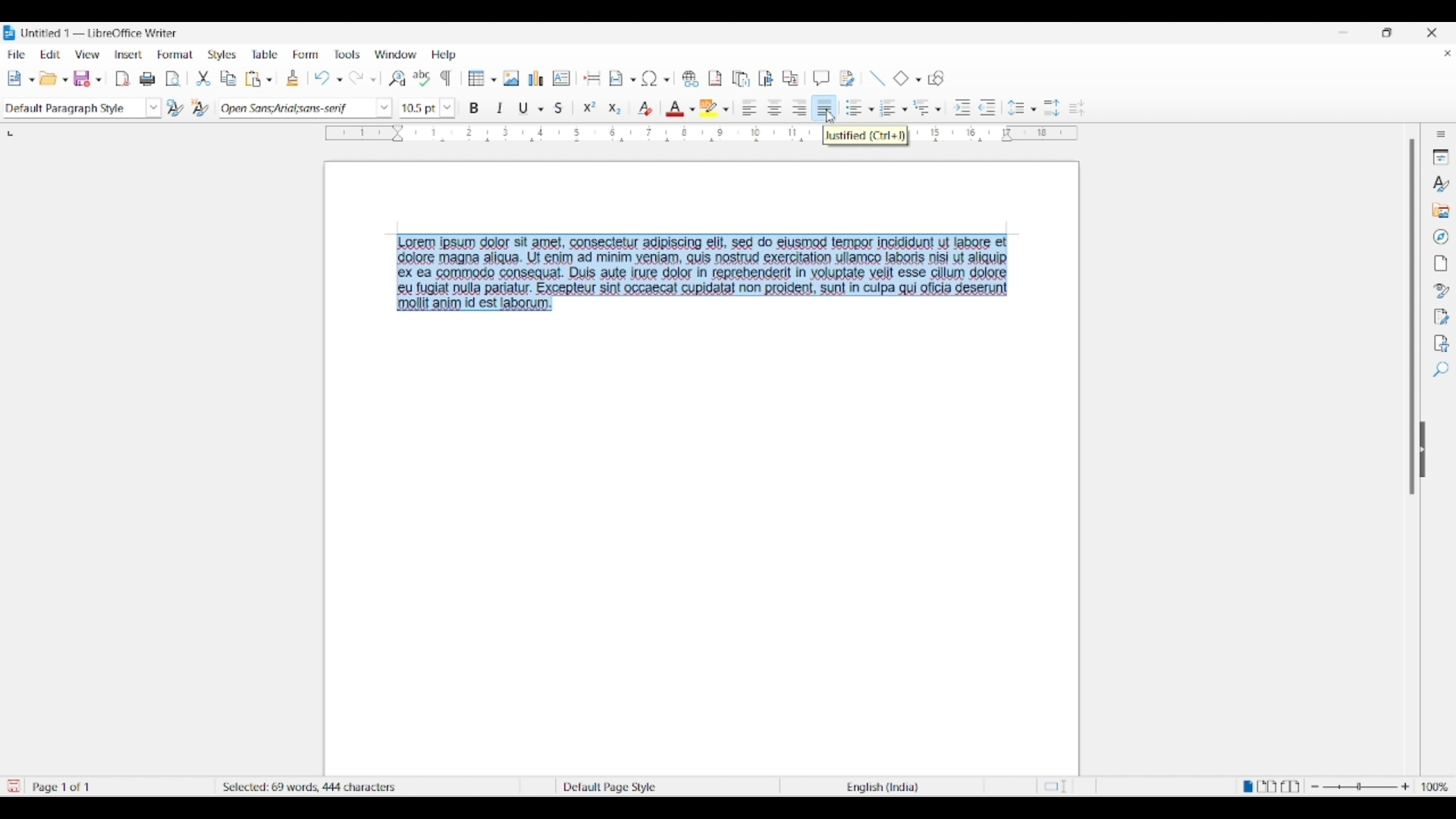 The width and height of the screenshot is (1456, 819). I want to click on 100%, so click(1436, 786).